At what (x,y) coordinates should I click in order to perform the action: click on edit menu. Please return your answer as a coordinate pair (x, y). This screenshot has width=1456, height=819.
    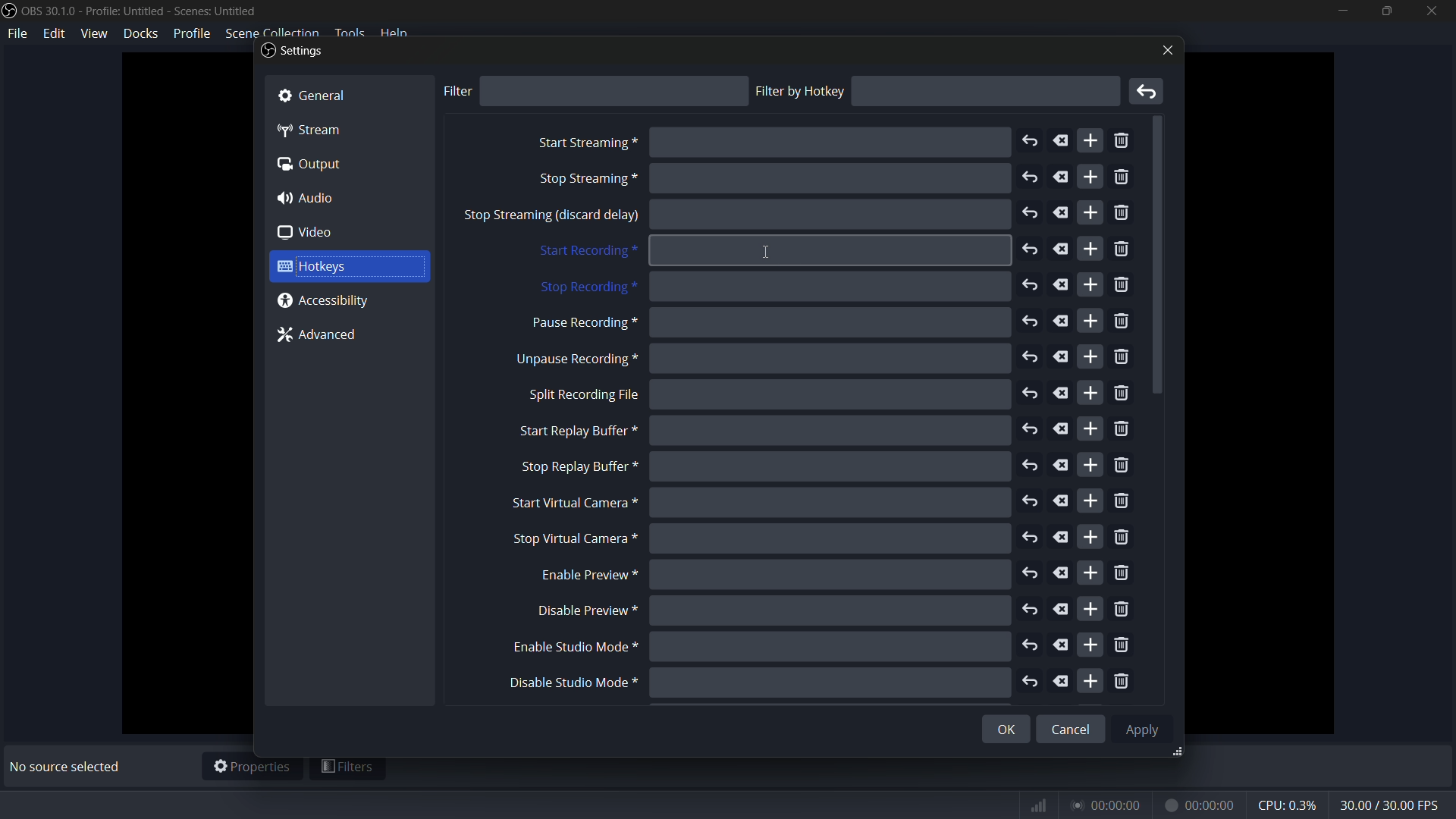
    Looking at the image, I should click on (56, 33).